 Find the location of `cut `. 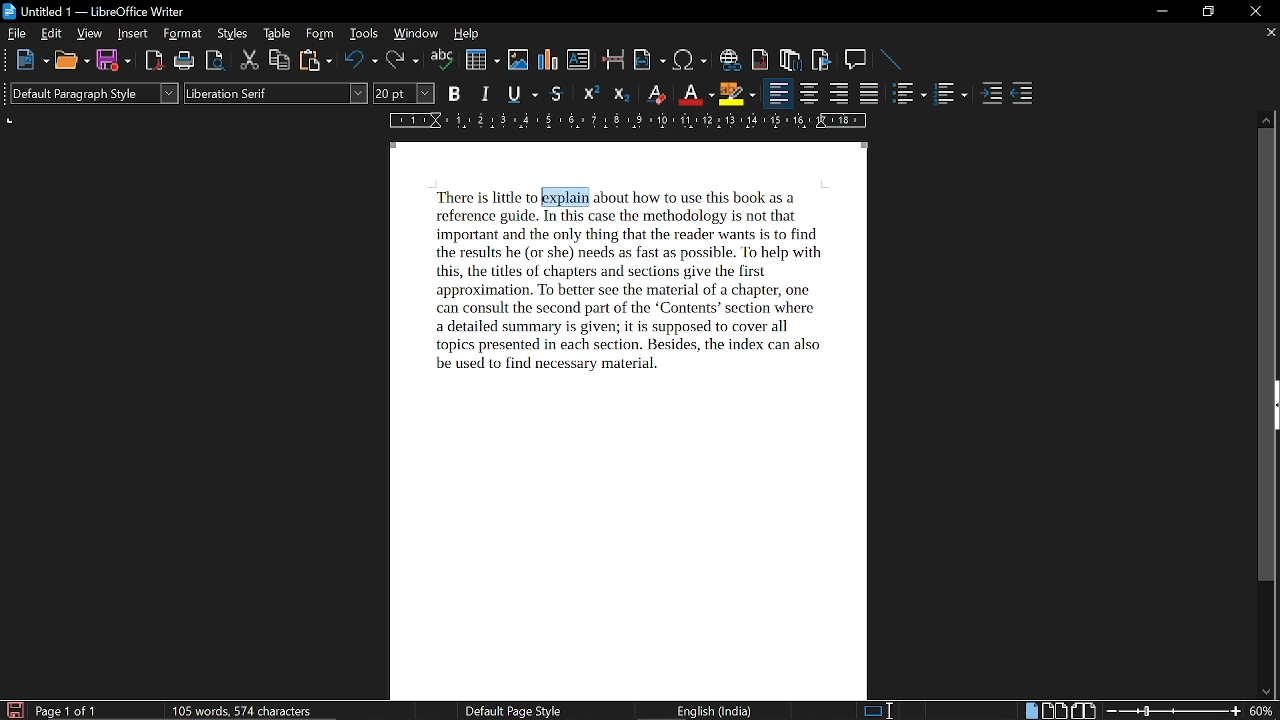

cut  is located at coordinates (249, 62).